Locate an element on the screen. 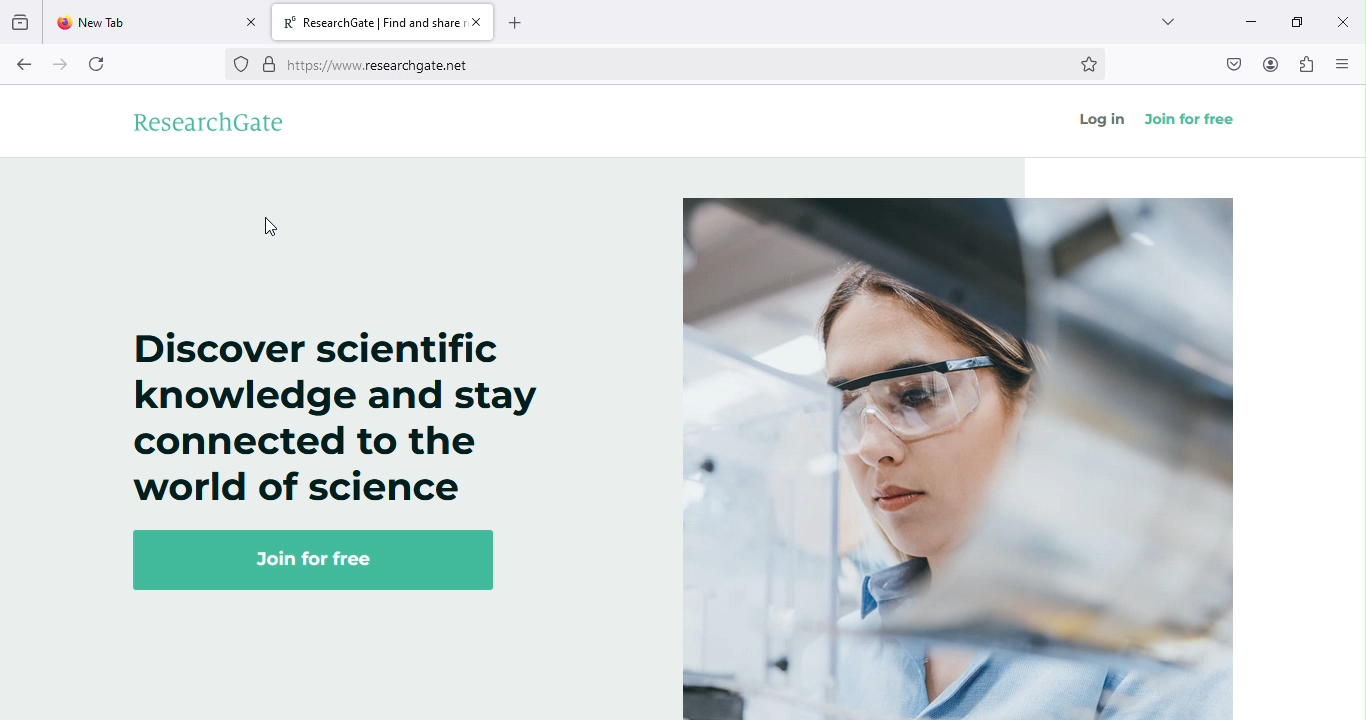  Discover scientific knowledge and stay connected to the world of science is located at coordinates (335, 416).